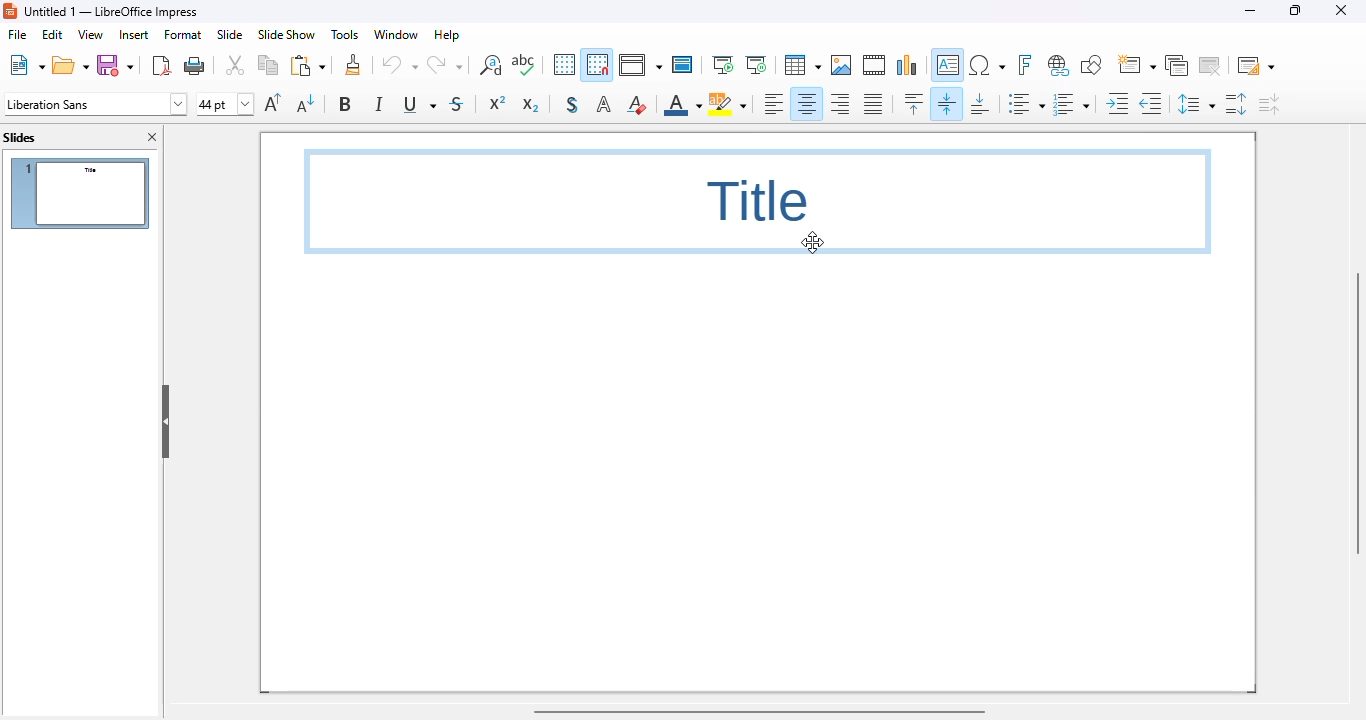  I want to click on underline, so click(419, 105).